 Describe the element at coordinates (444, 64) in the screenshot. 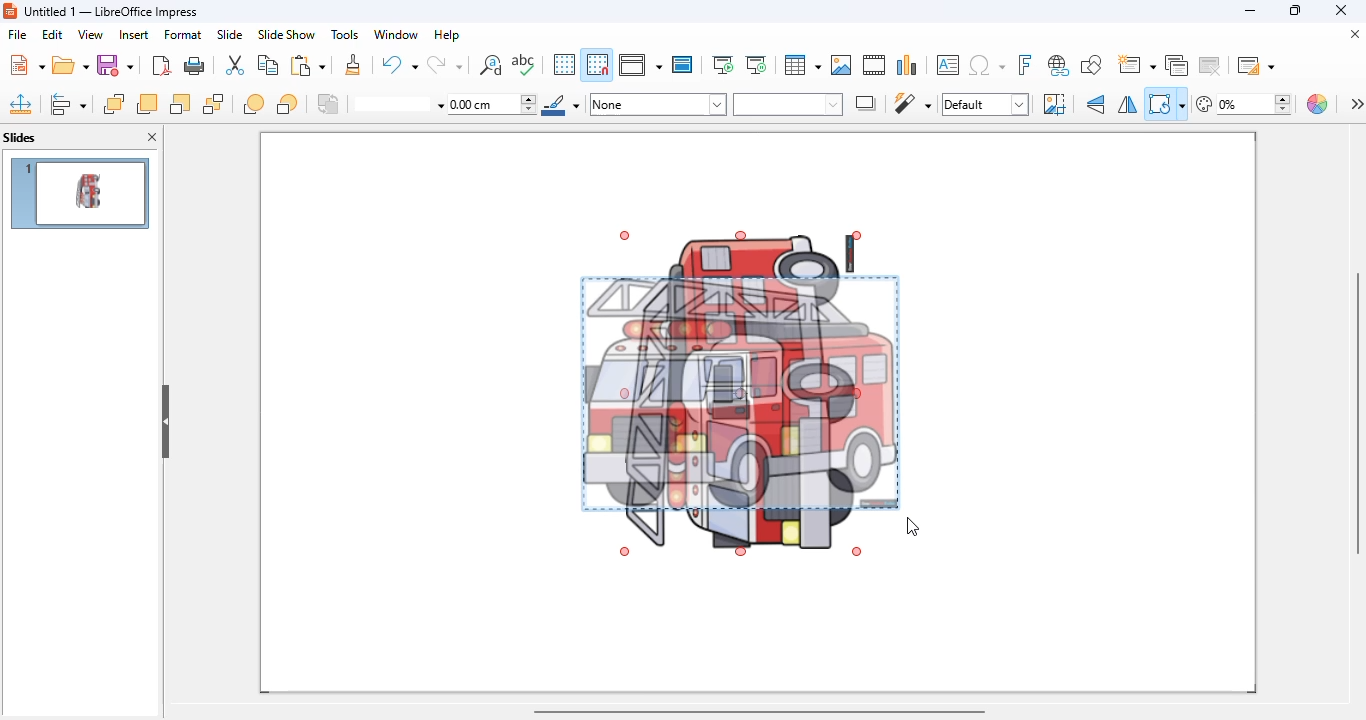

I see `redo` at that location.